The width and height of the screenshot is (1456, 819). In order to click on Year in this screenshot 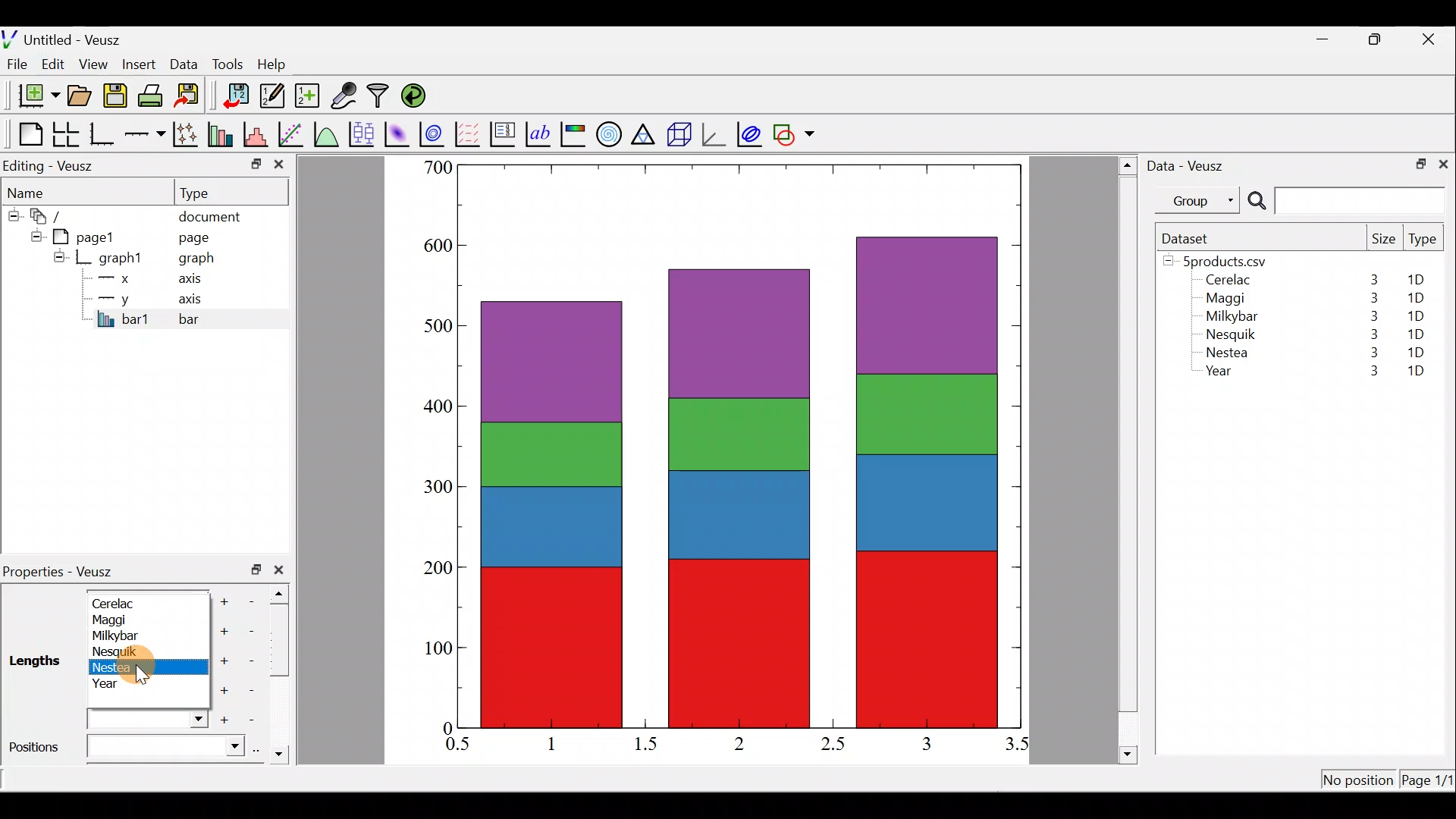, I will do `click(108, 684)`.